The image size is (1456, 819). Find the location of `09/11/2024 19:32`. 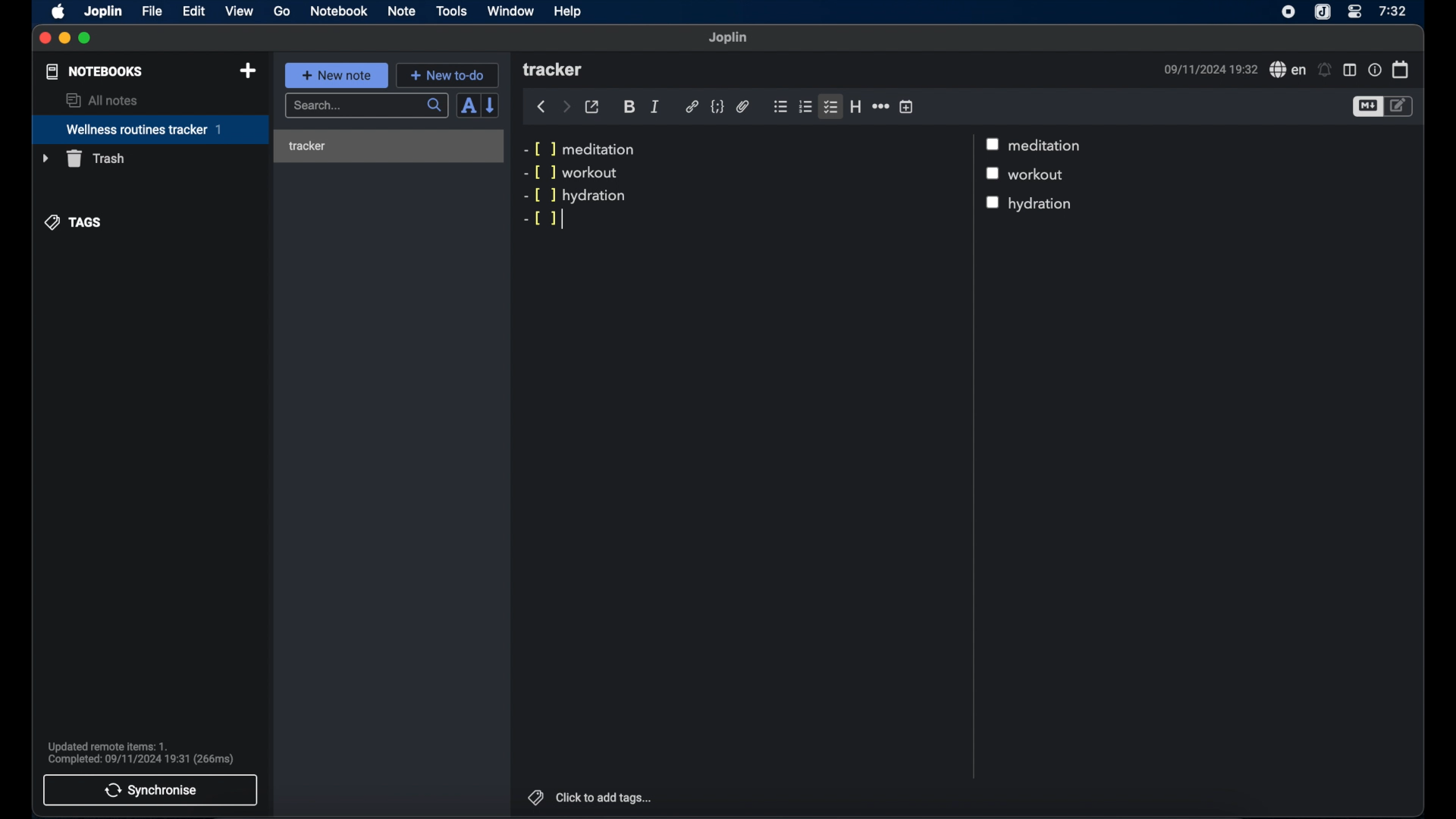

09/11/2024 19:32 is located at coordinates (1208, 69).